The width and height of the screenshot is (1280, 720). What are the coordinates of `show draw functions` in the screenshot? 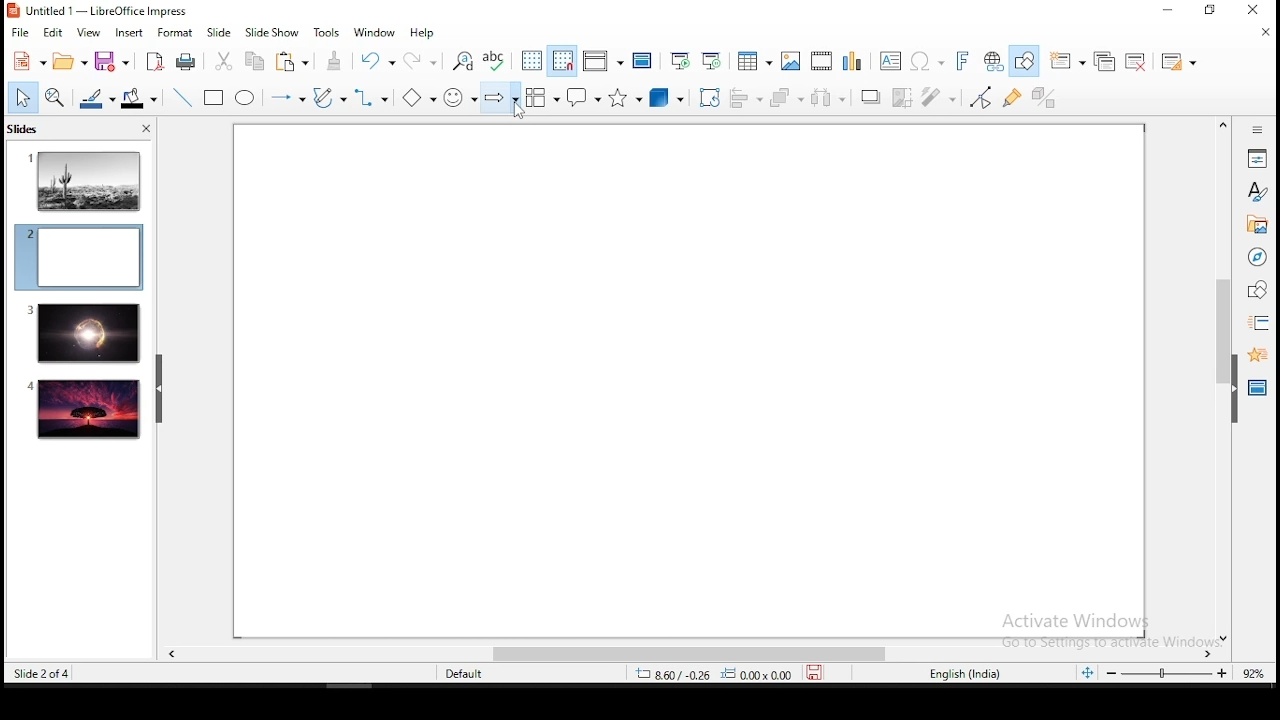 It's located at (1029, 61).